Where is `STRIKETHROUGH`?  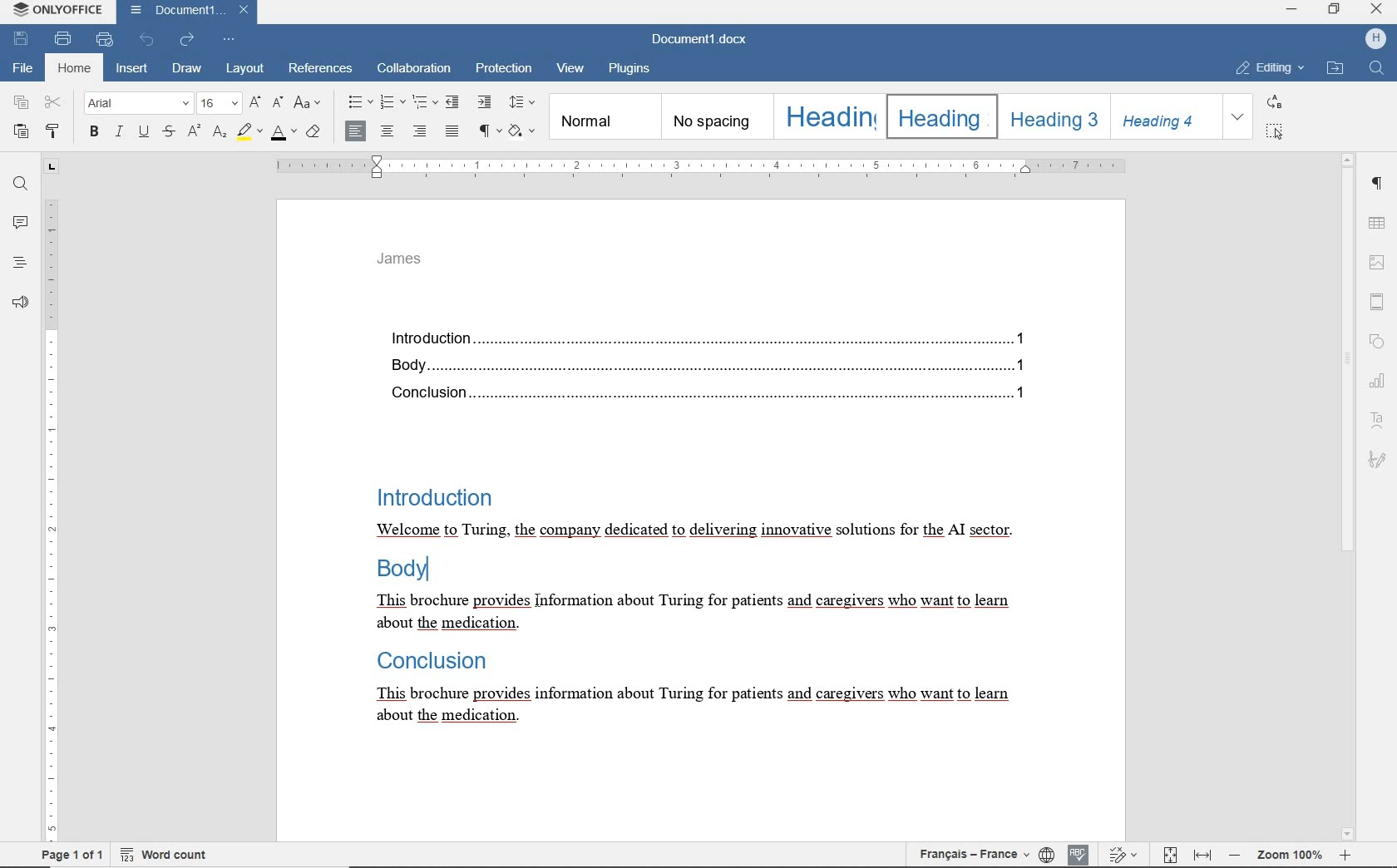
STRIKETHROUGH is located at coordinates (169, 132).